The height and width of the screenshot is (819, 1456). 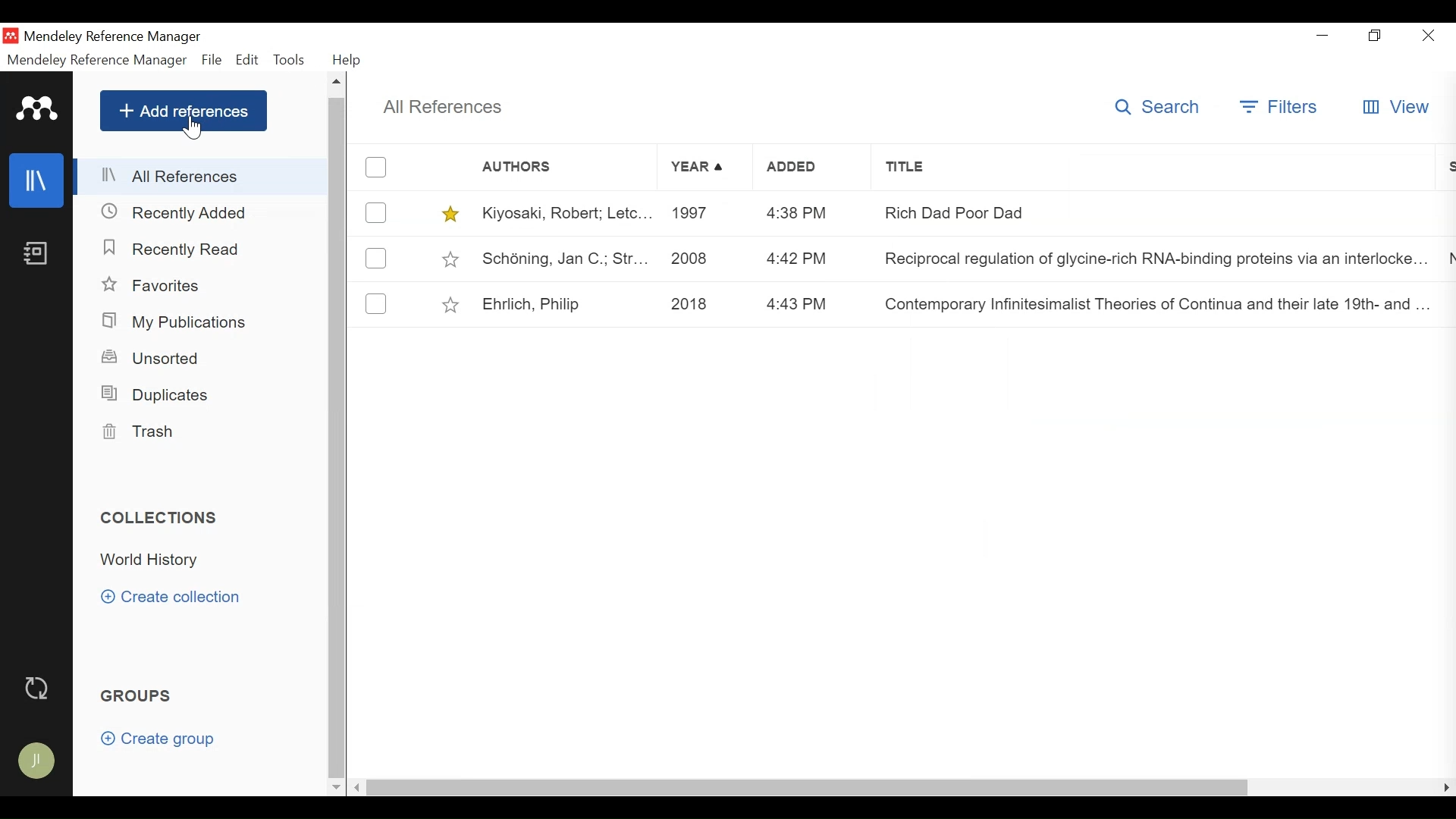 I want to click on Rich Dad Poor Dad, so click(x=1147, y=215).